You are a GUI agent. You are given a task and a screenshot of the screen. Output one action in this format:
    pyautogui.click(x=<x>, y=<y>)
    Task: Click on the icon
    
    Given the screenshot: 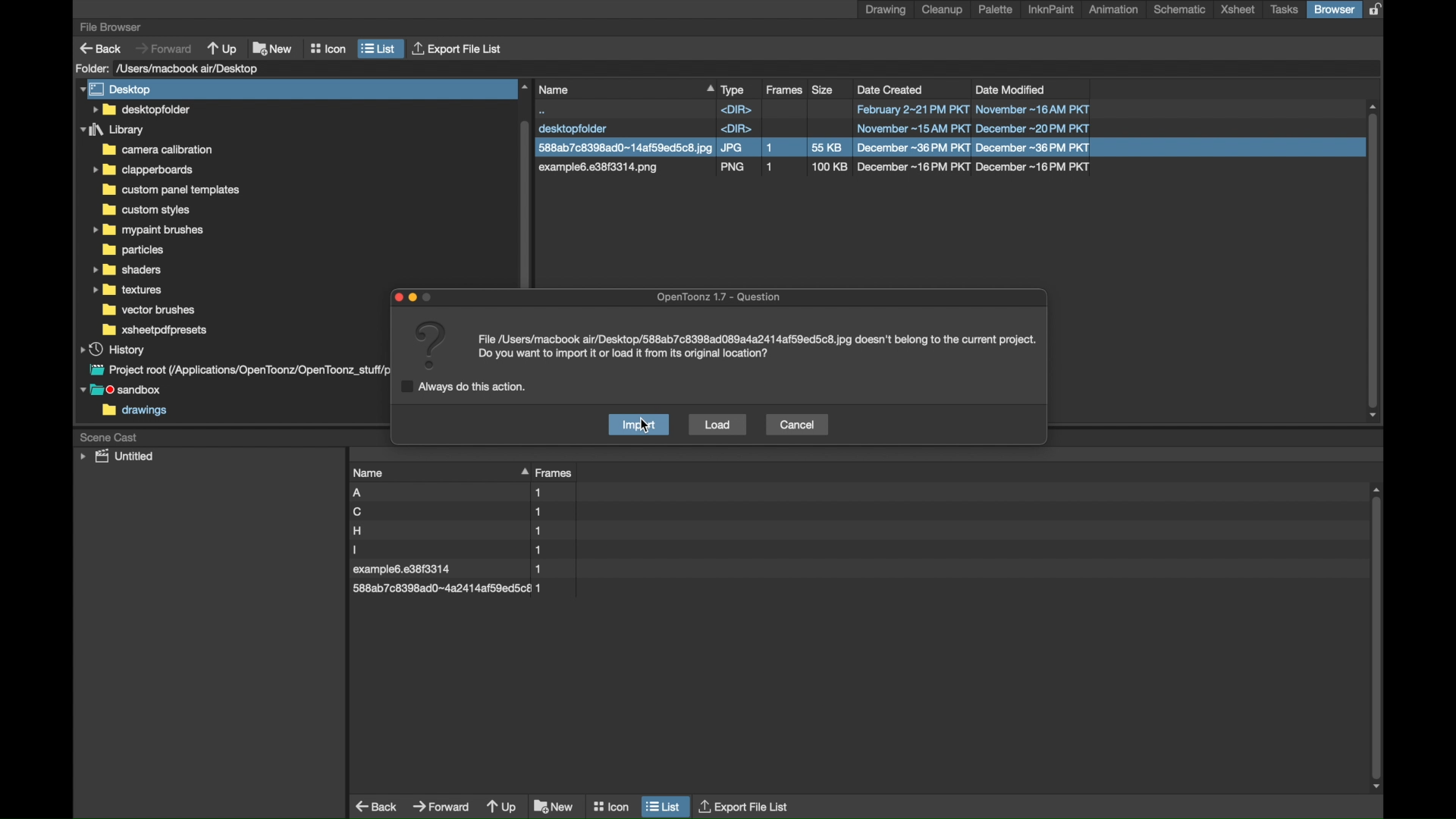 What is the action you would take?
    pyautogui.click(x=610, y=803)
    